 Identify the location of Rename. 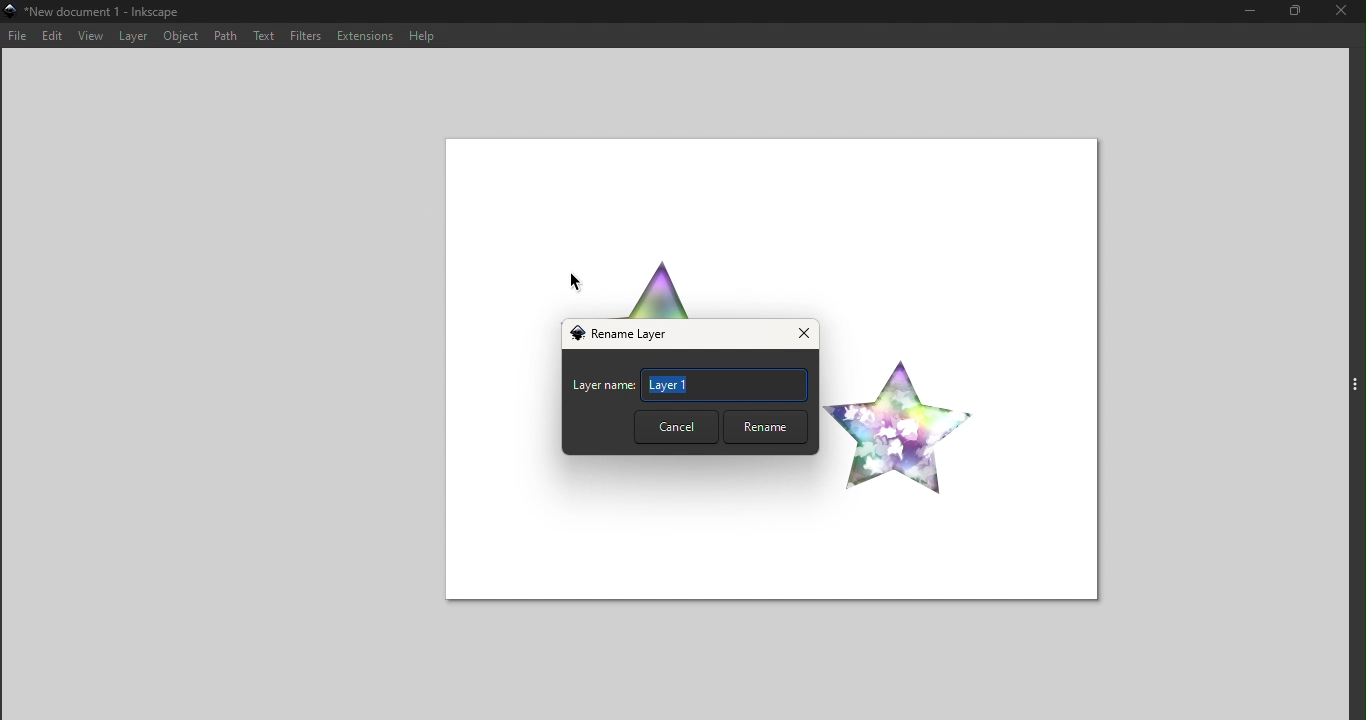
(763, 427).